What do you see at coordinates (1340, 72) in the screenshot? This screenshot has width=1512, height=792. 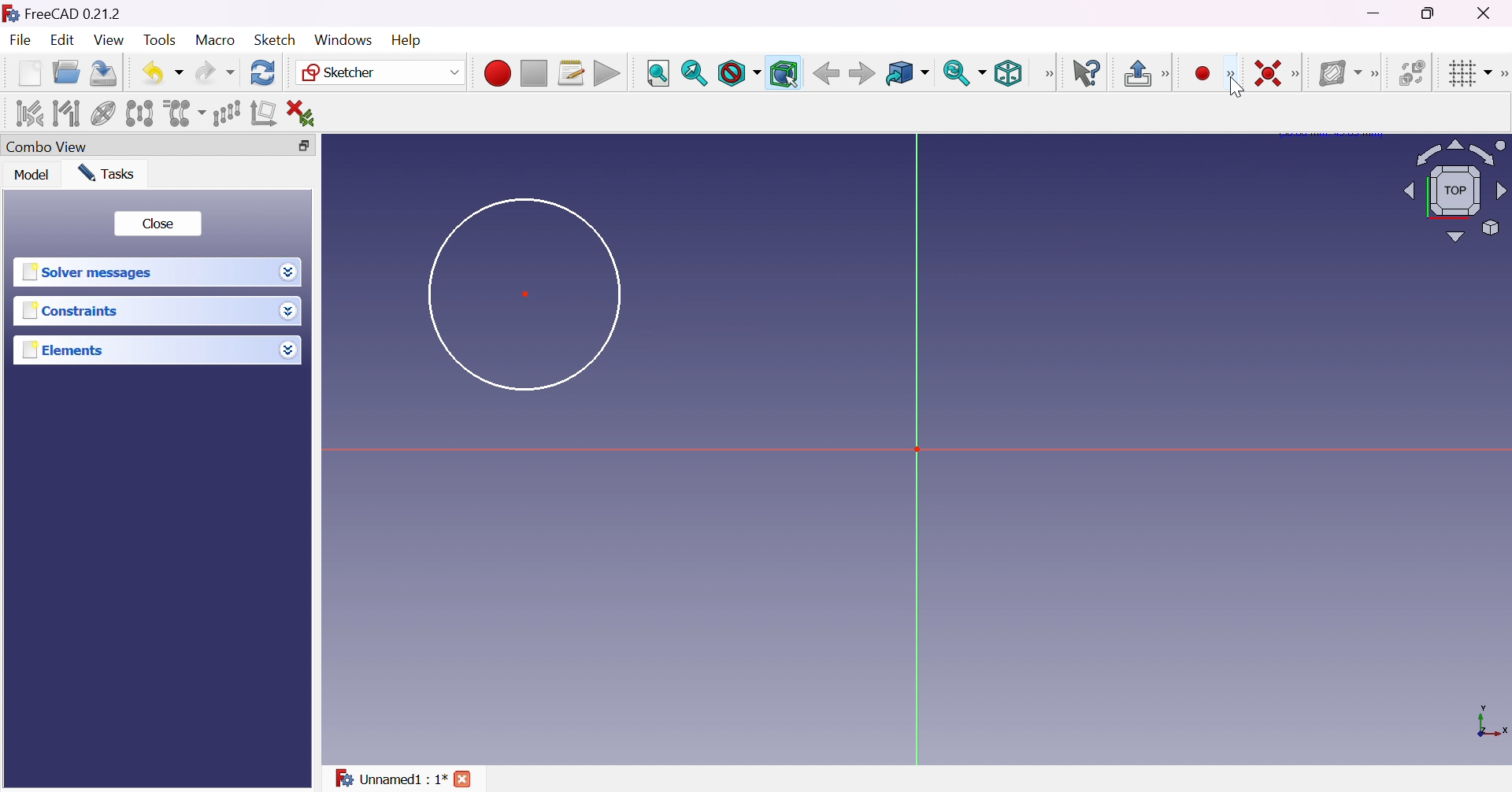 I see `Show/hide B-spline information layer` at bounding box center [1340, 72].